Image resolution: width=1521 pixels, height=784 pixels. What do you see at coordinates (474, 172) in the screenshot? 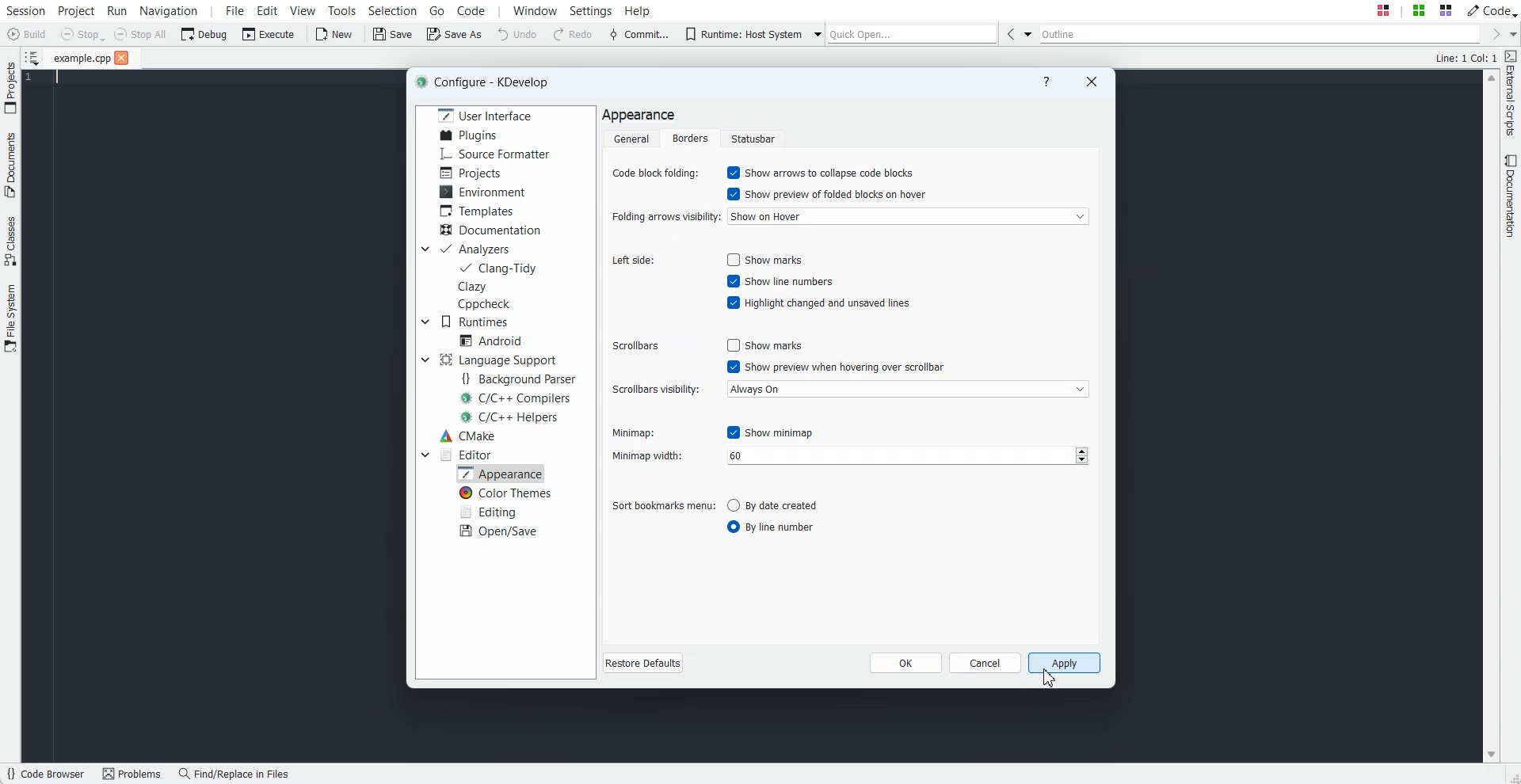
I see `Projects` at bounding box center [474, 172].